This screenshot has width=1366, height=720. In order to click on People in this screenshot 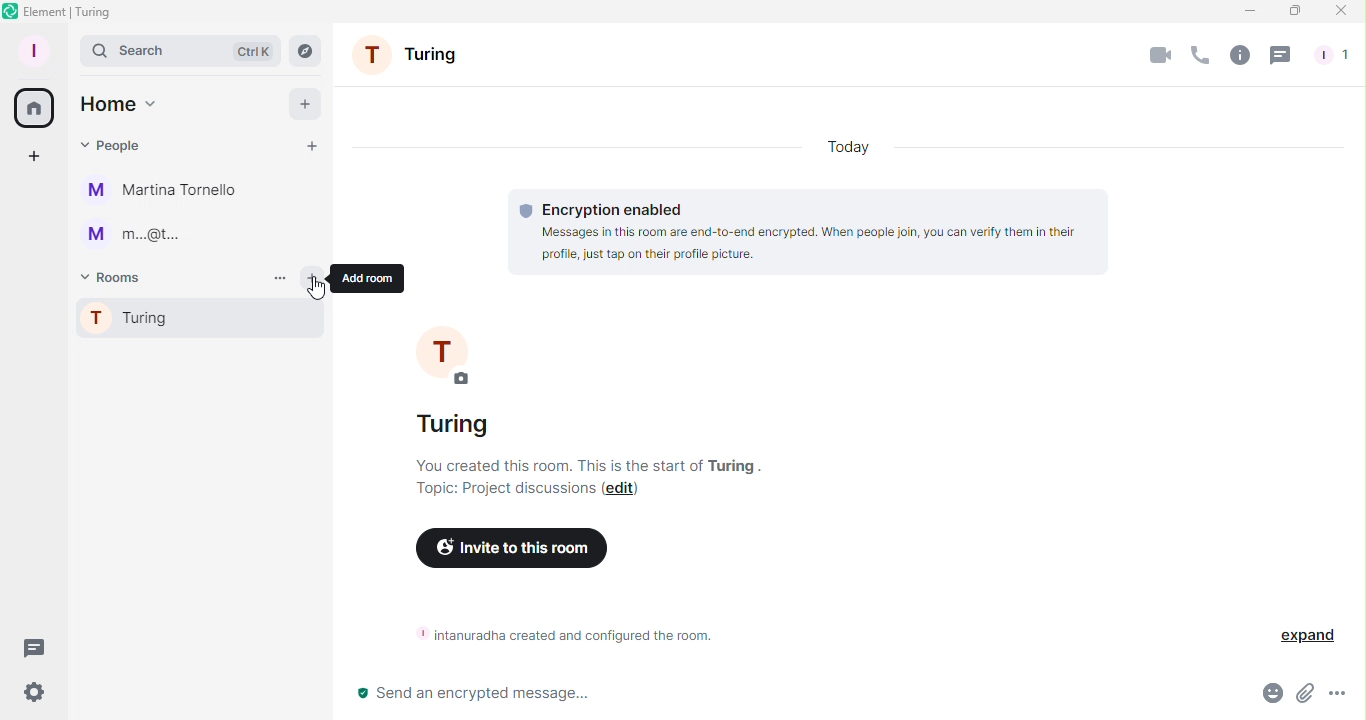, I will do `click(1329, 55)`.